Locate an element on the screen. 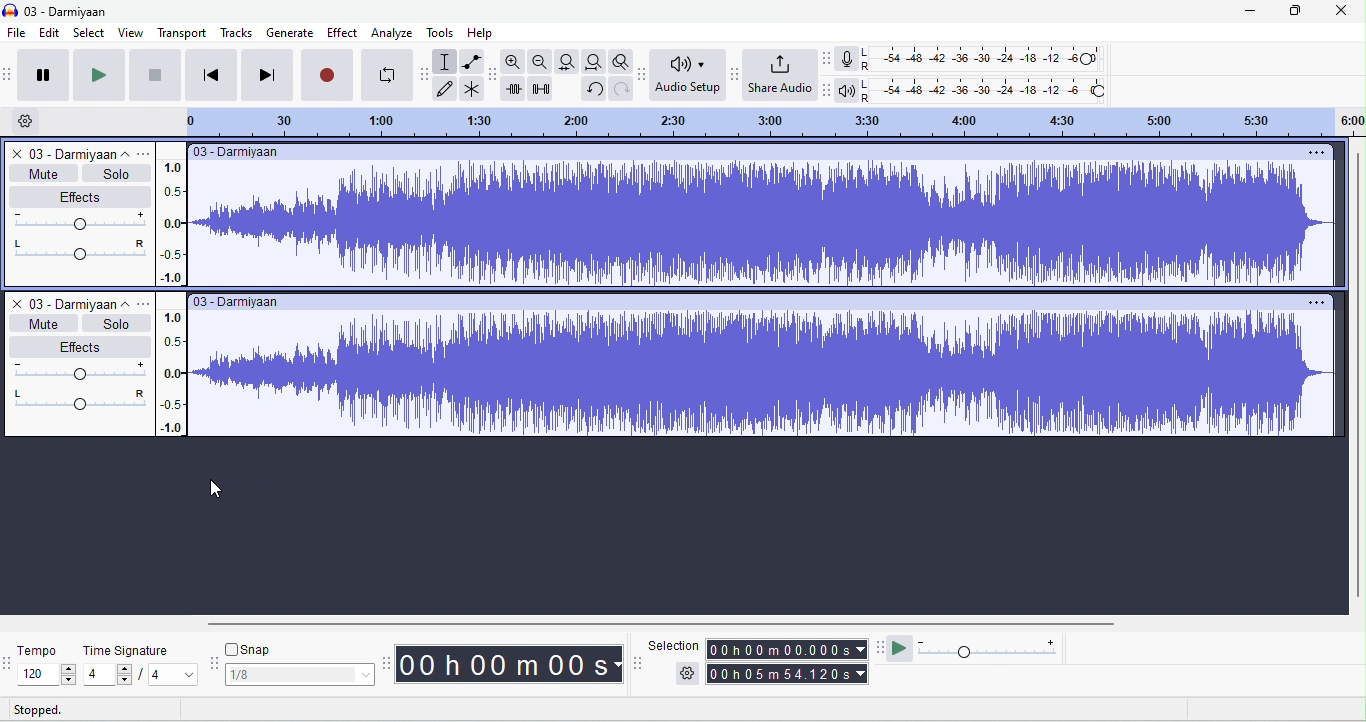 The width and height of the screenshot is (1366, 722). timeline options is located at coordinates (24, 121).